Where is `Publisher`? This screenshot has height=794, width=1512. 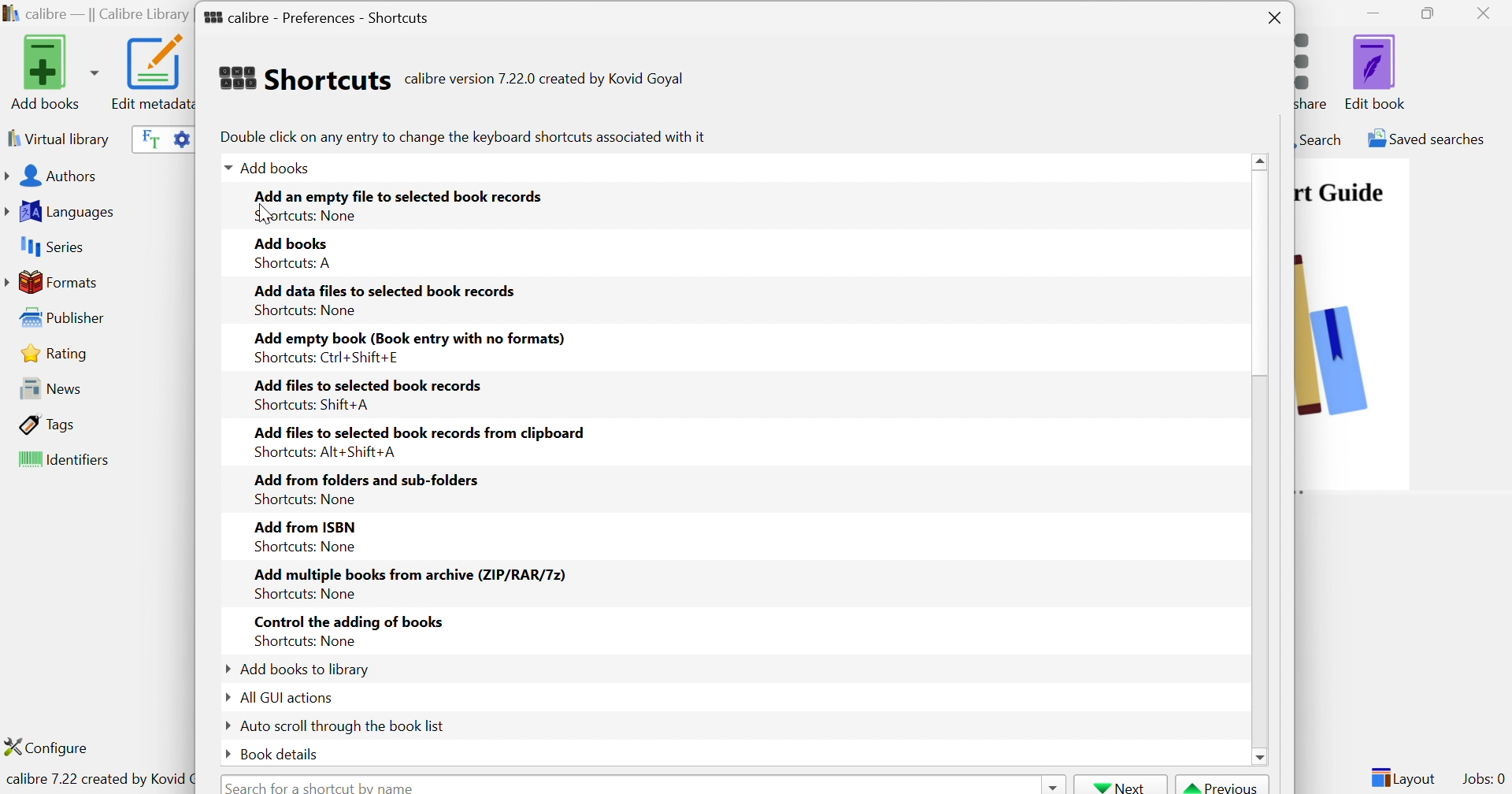
Publisher is located at coordinates (66, 318).